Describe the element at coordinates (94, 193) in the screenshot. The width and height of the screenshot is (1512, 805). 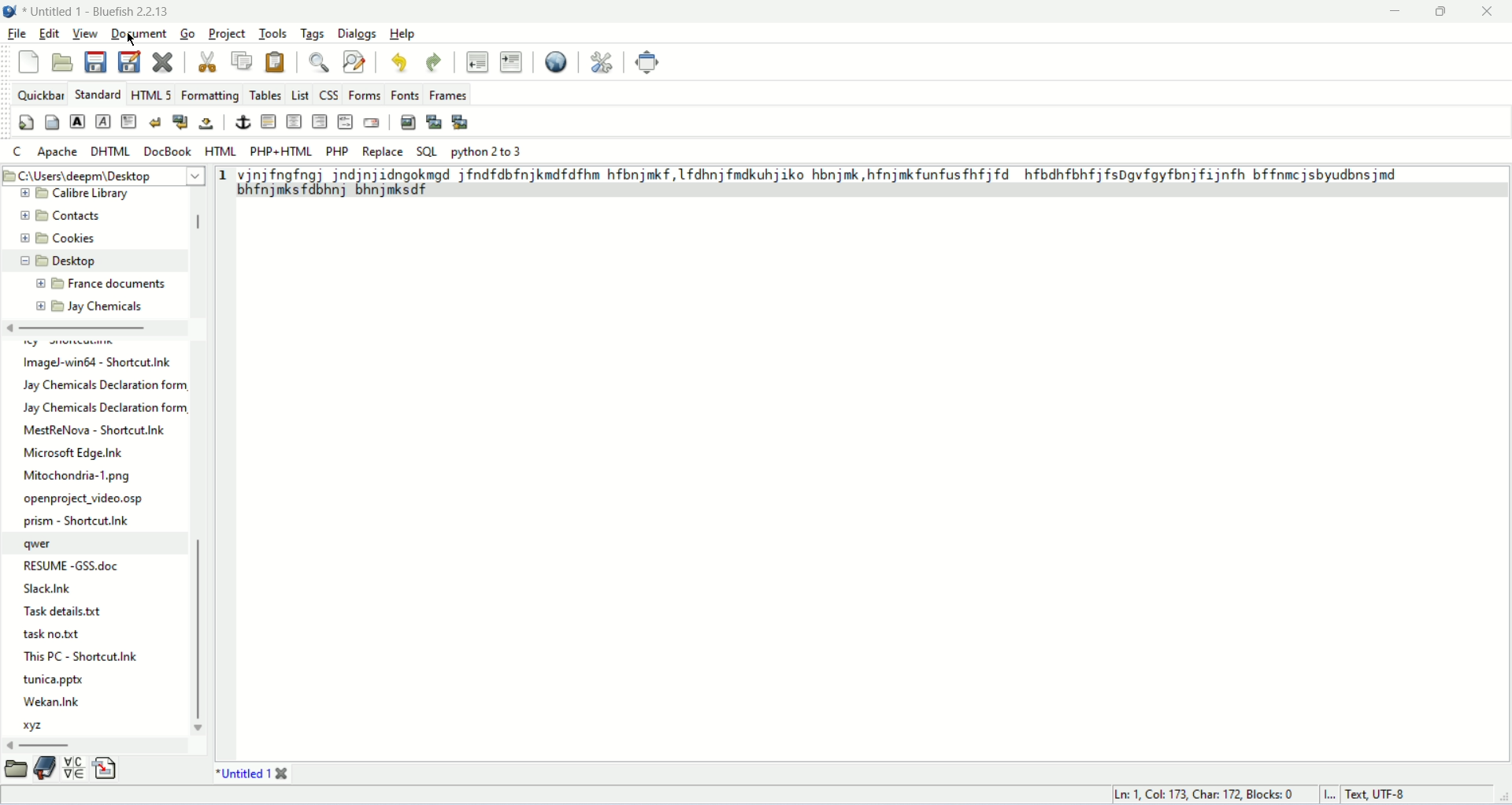
I see `Calibre Library` at that location.